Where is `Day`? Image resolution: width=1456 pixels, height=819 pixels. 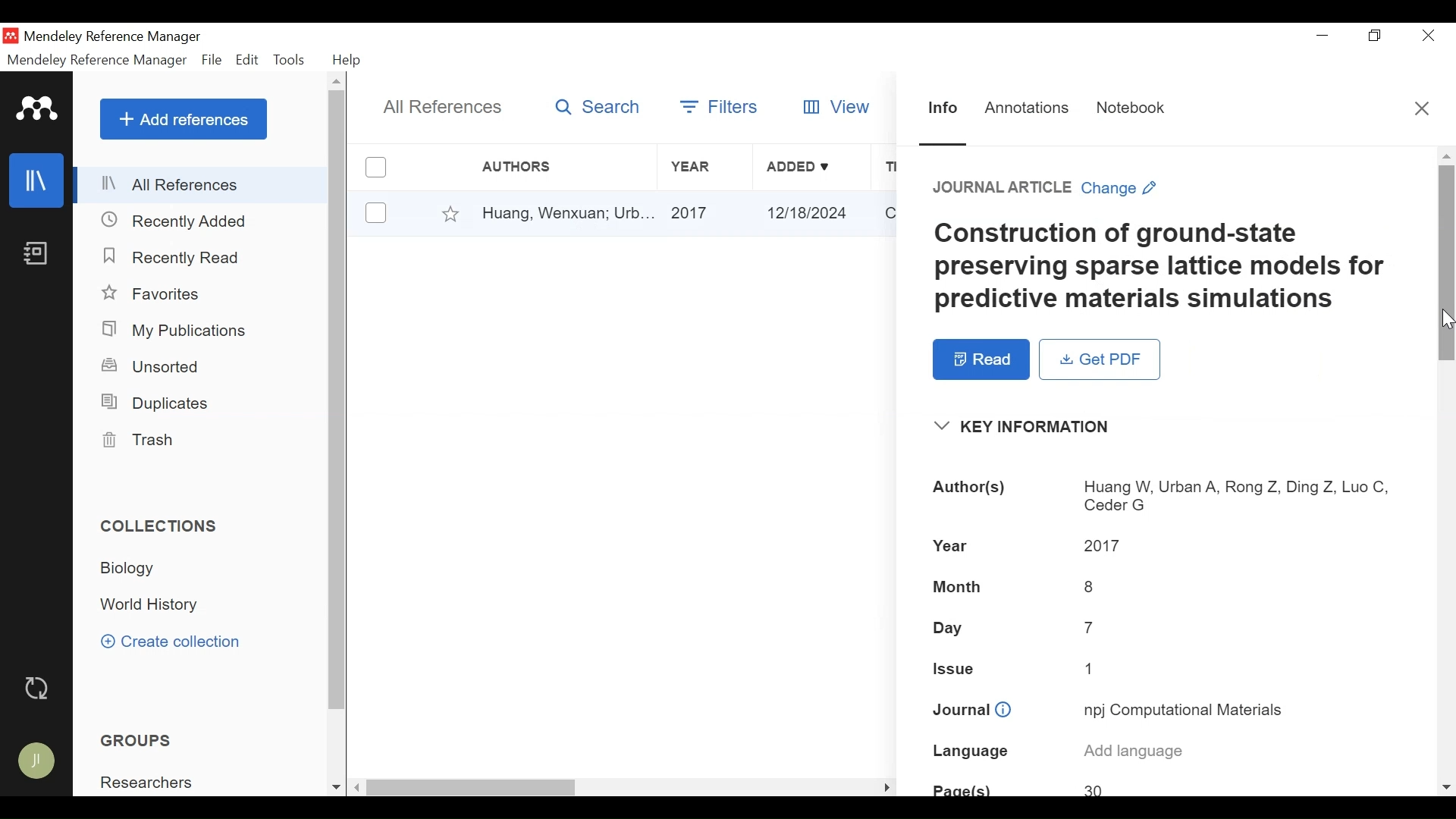 Day is located at coordinates (949, 628).